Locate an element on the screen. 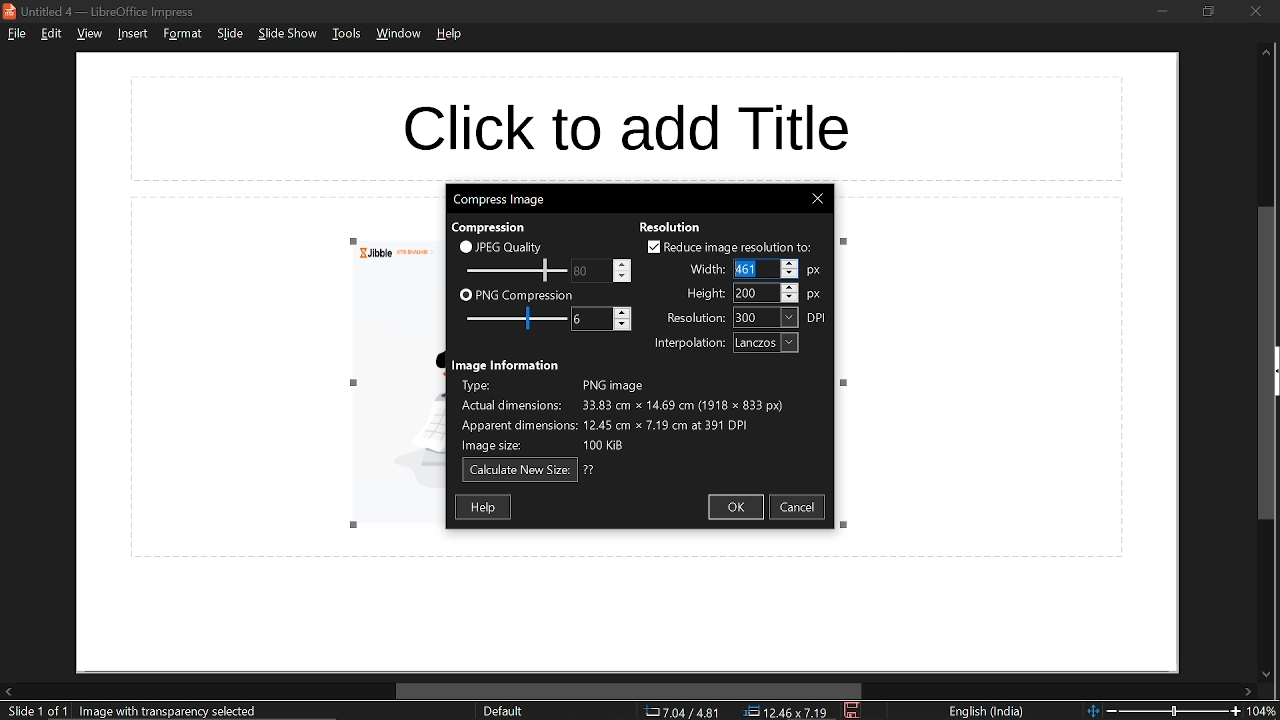  space for title is located at coordinates (646, 122).